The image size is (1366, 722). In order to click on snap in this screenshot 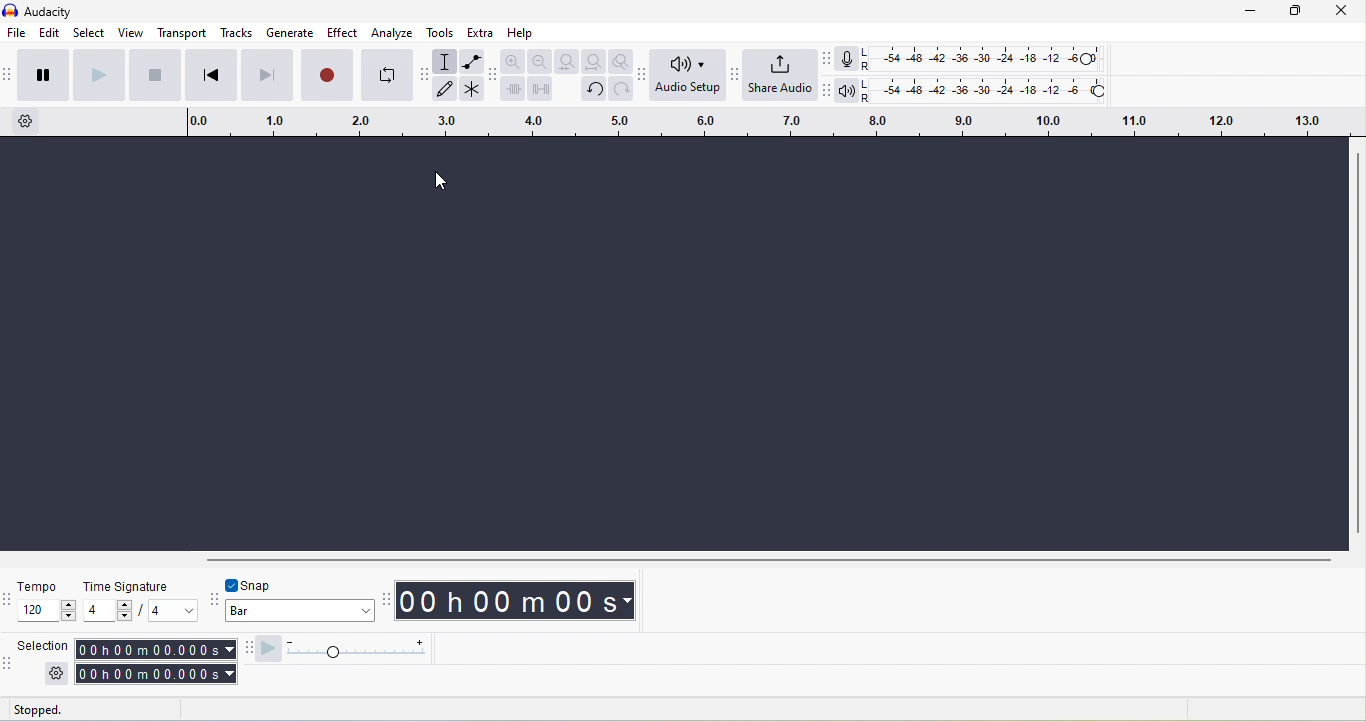, I will do `click(260, 586)`.